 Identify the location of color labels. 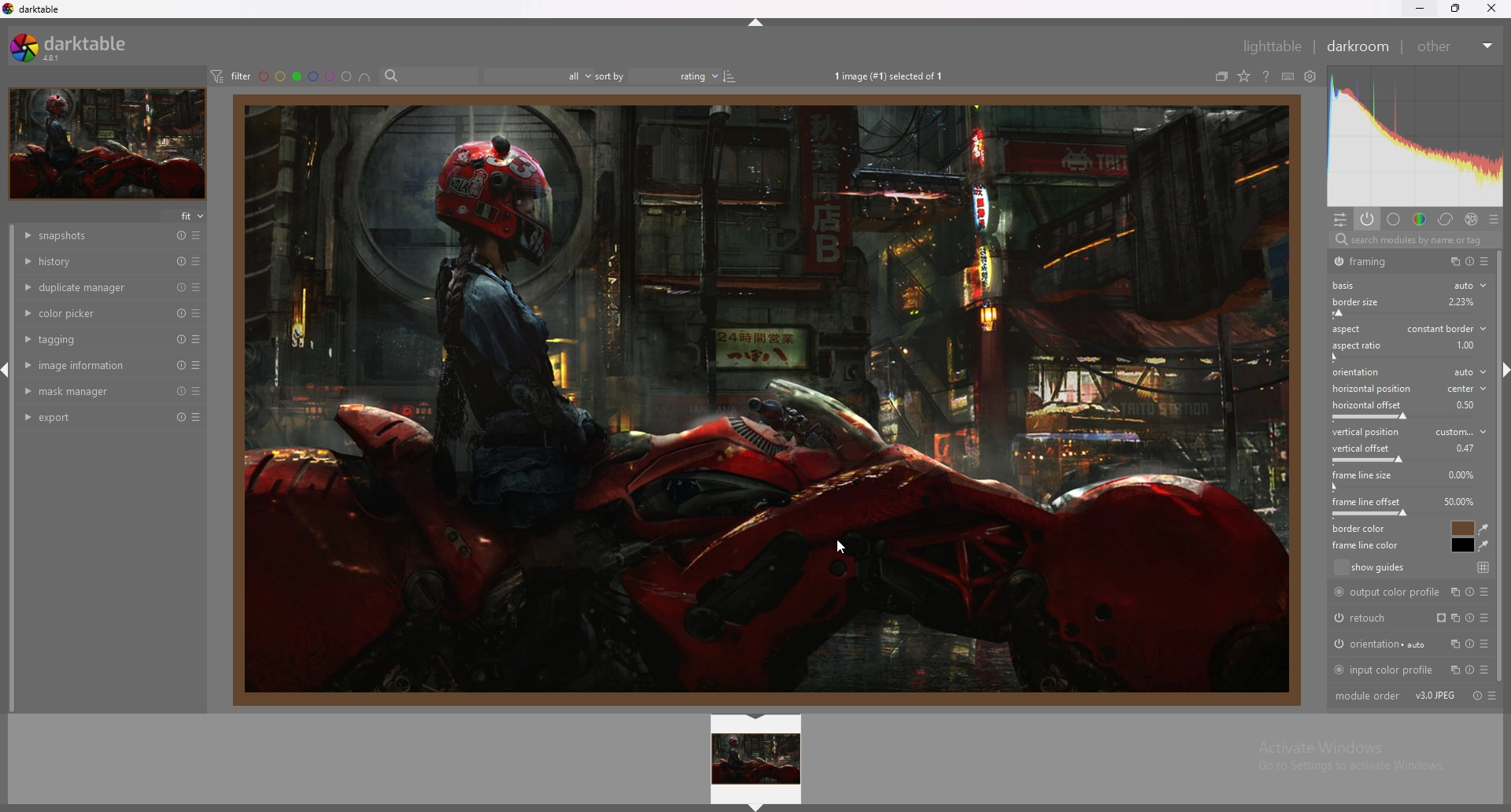
(306, 76).